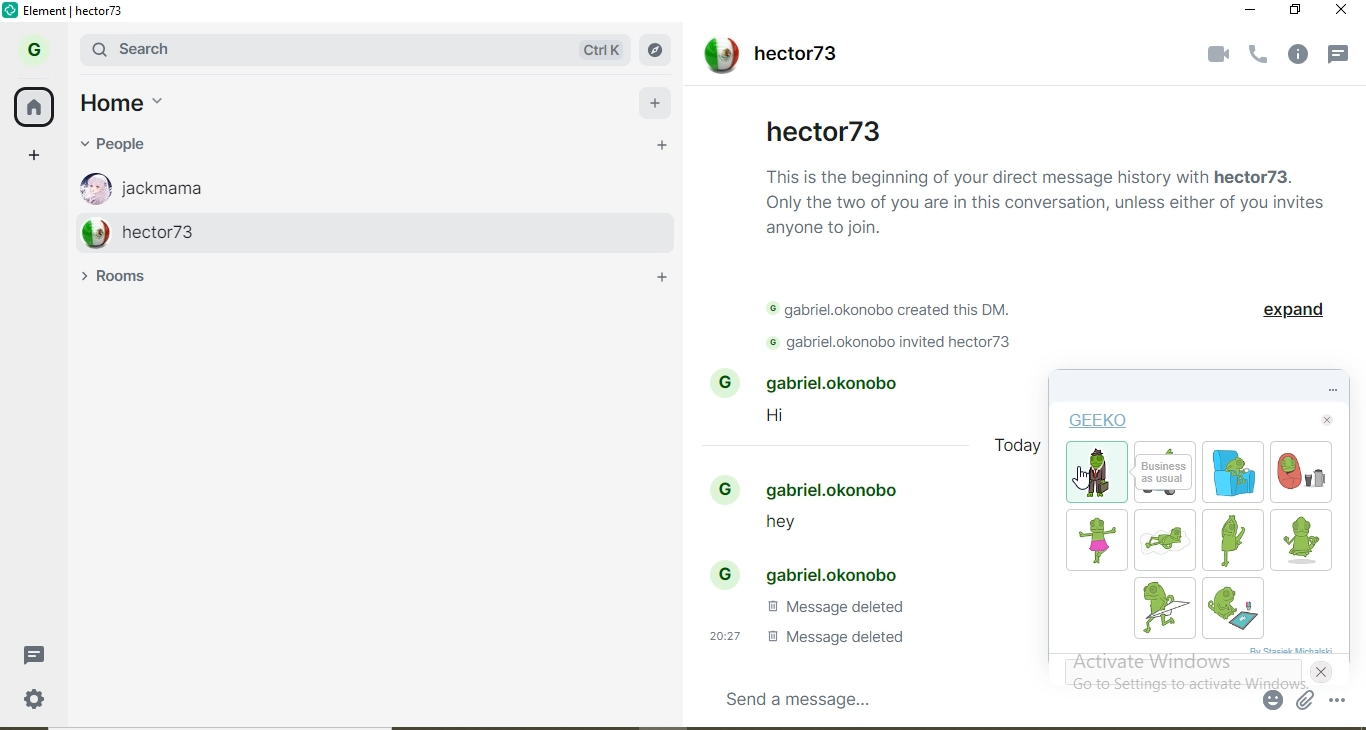 The height and width of the screenshot is (730, 1366). Describe the element at coordinates (1213, 53) in the screenshot. I see `video call` at that location.